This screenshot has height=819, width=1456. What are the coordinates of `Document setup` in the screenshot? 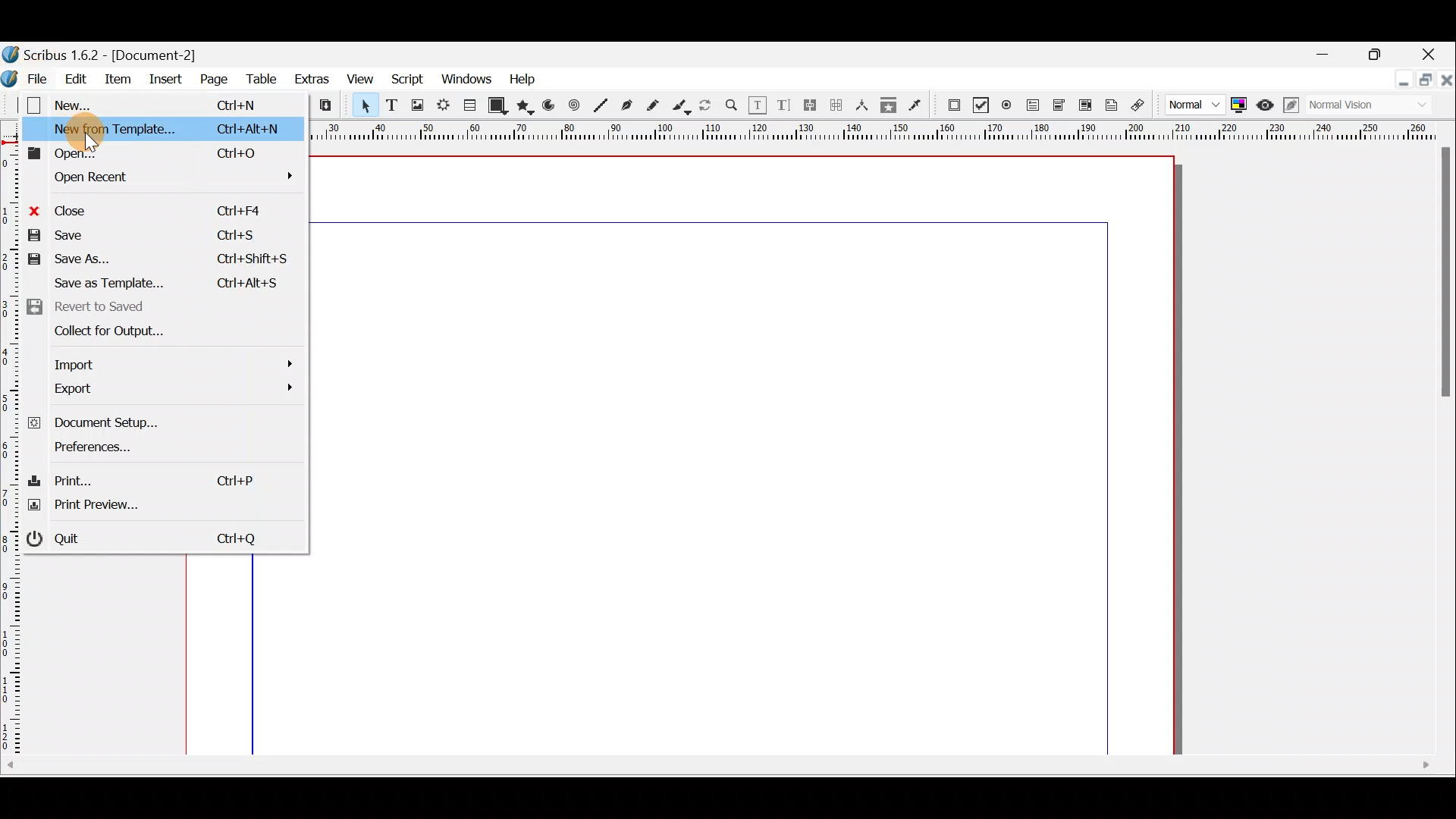 It's located at (163, 422).